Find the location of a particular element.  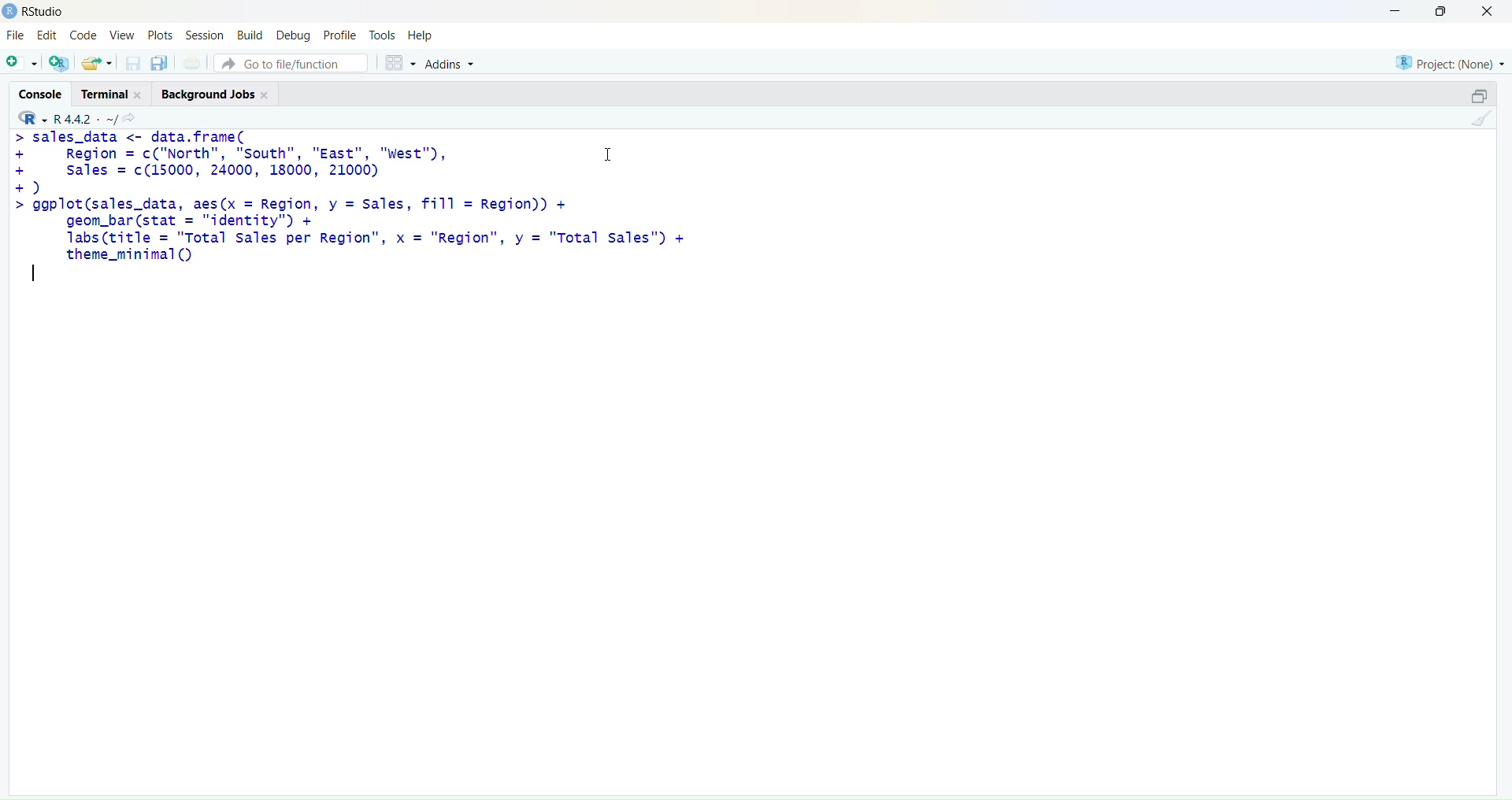

File is located at coordinates (16, 36).